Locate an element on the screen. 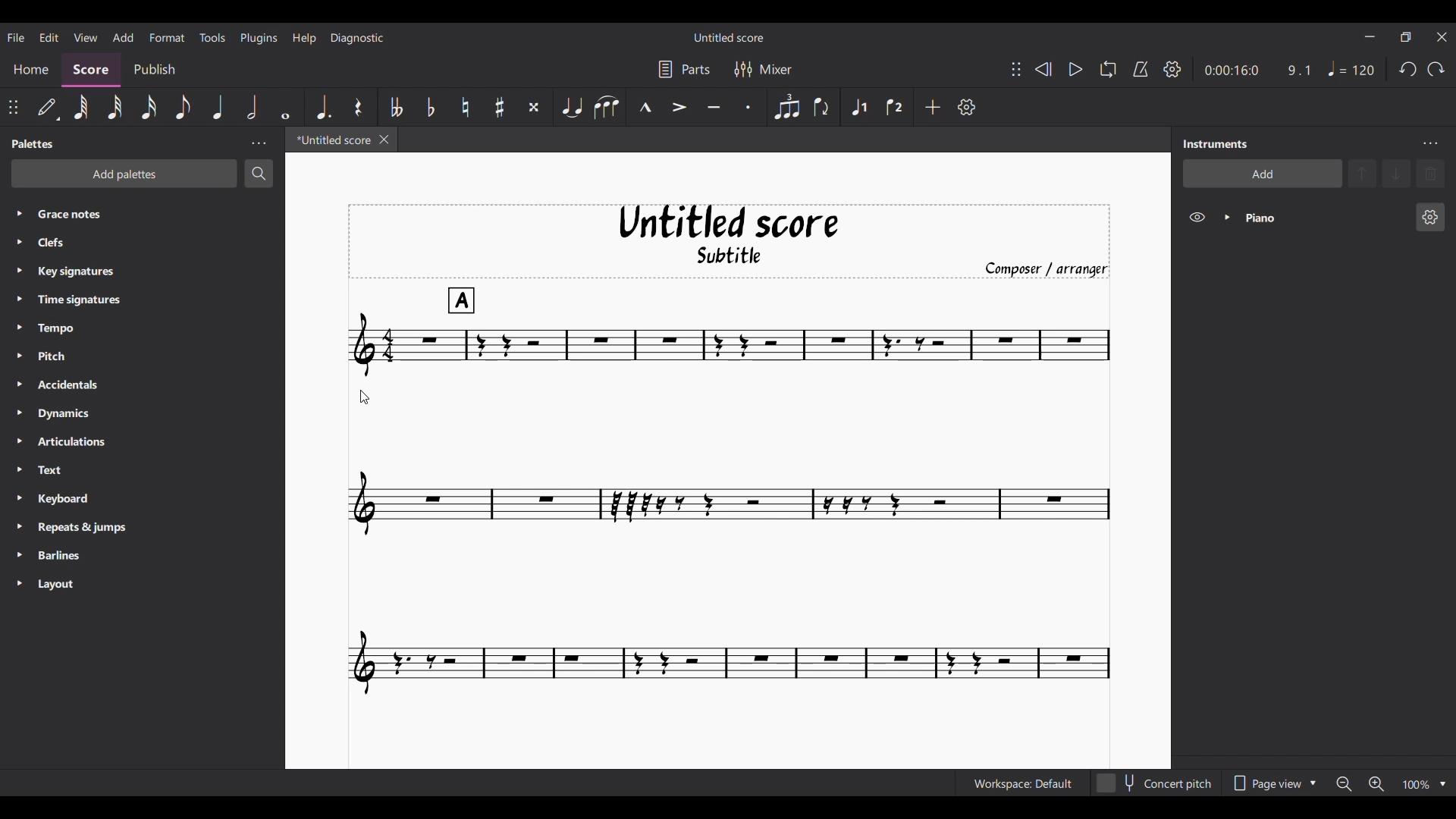  Zoom factor is located at coordinates (1417, 785).